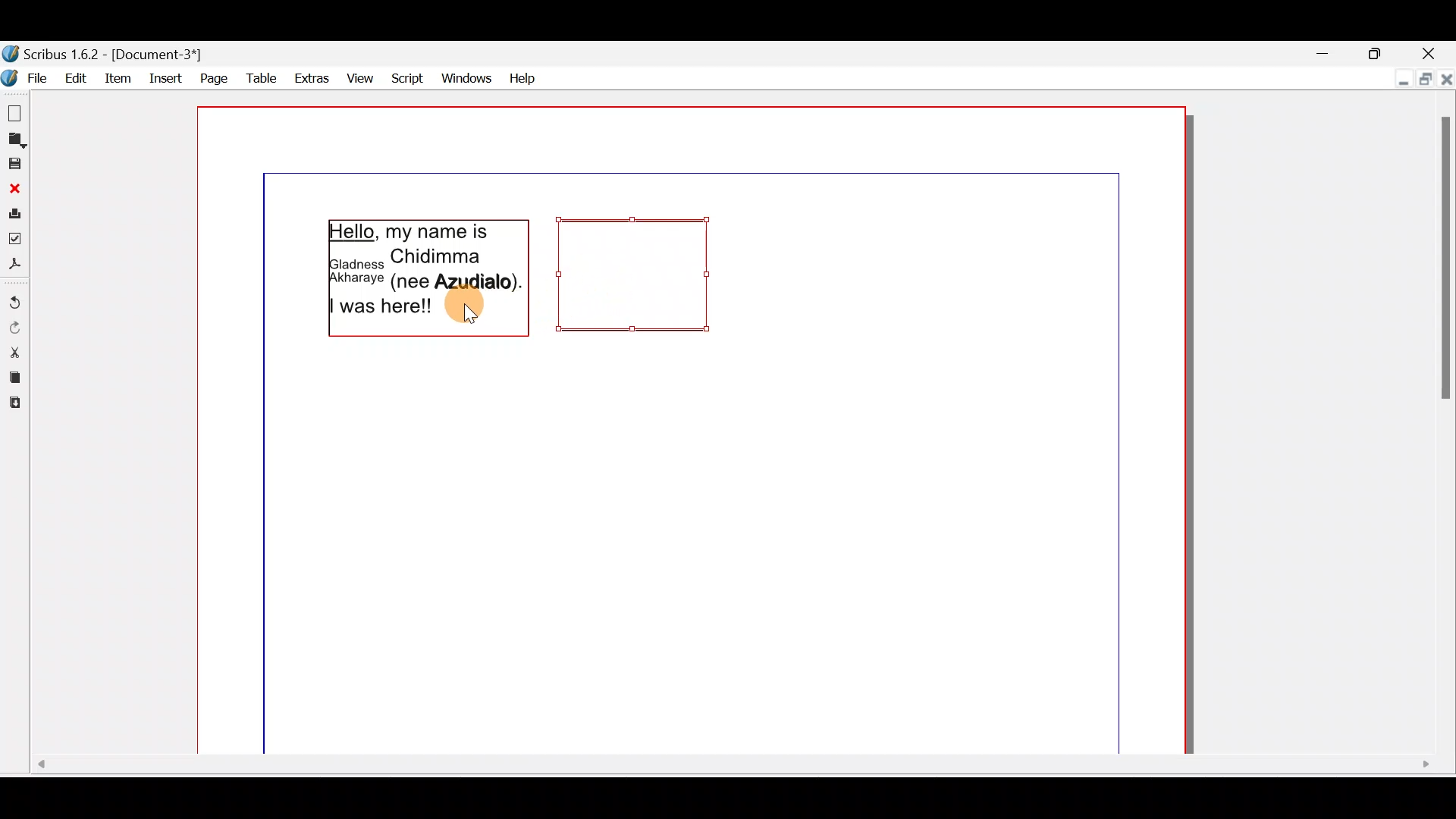  What do you see at coordinates (730, 771) in the screenshot?
I see `Scroll bar` at bounding box center [730, 771].